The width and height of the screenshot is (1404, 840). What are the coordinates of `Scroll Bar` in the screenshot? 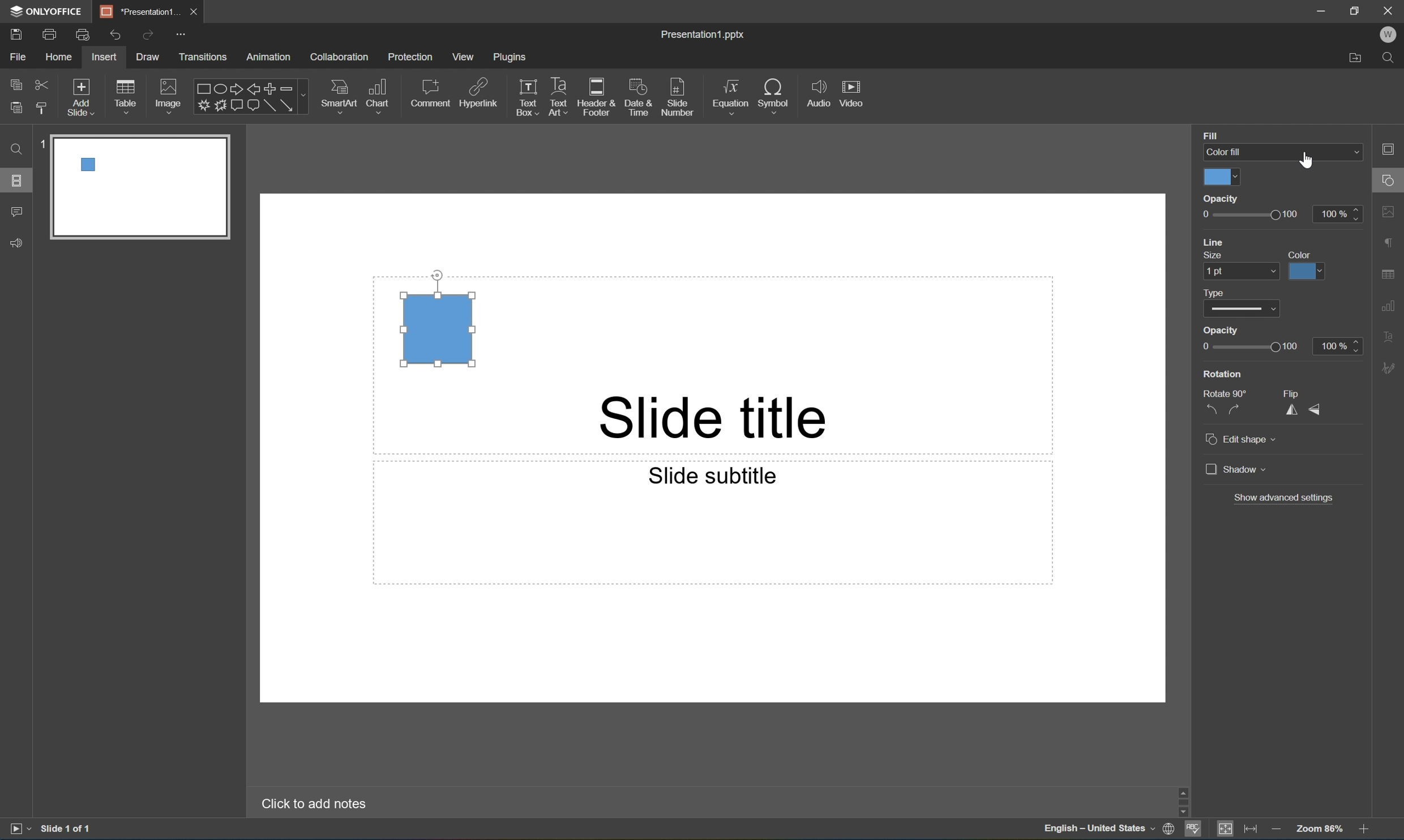 It's located at (1361, 798).